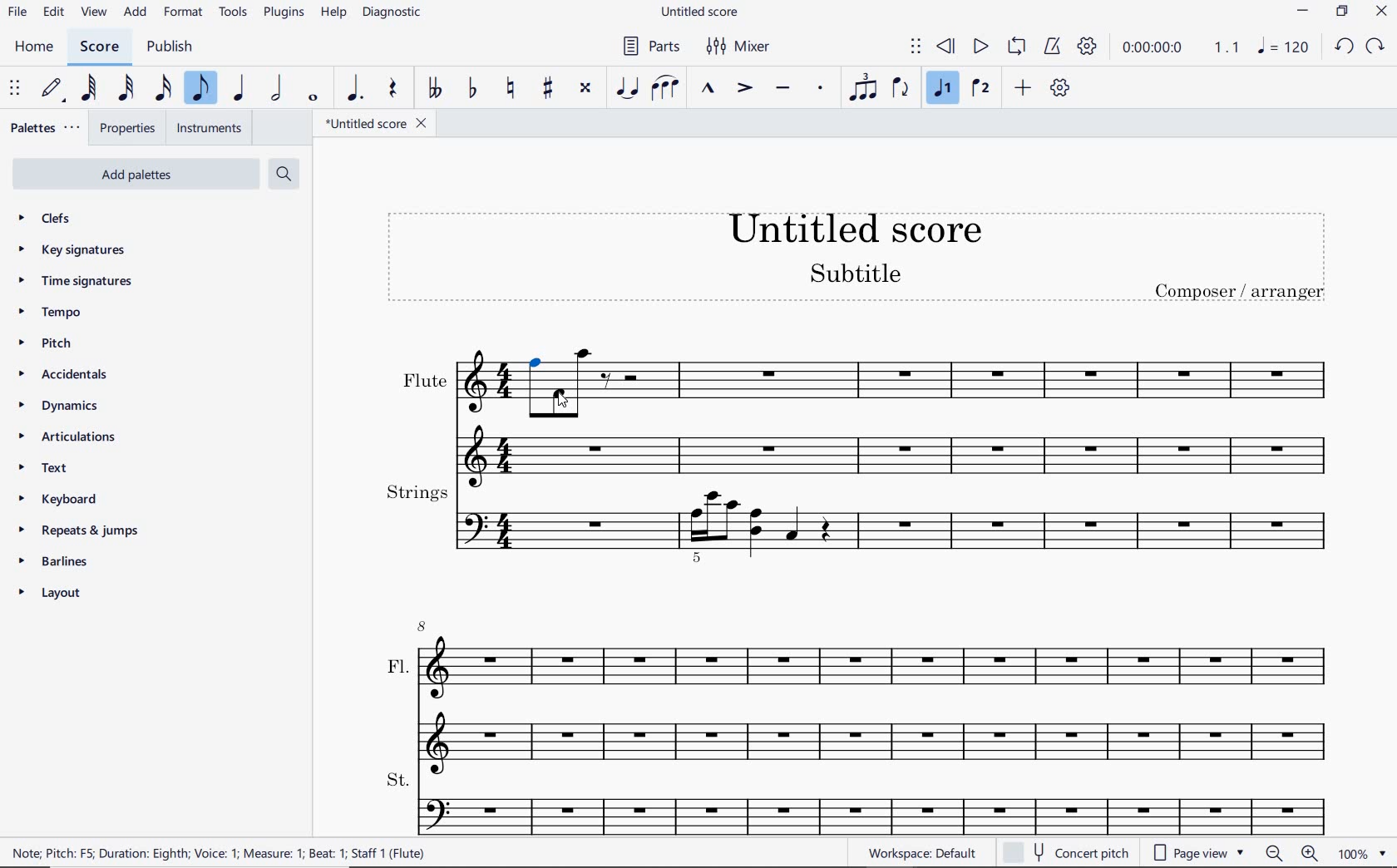 This screenshot has height=868, width=1397. Describe the element at coordinates (876, 692) in the screenshot. I see `fl.` at that location.